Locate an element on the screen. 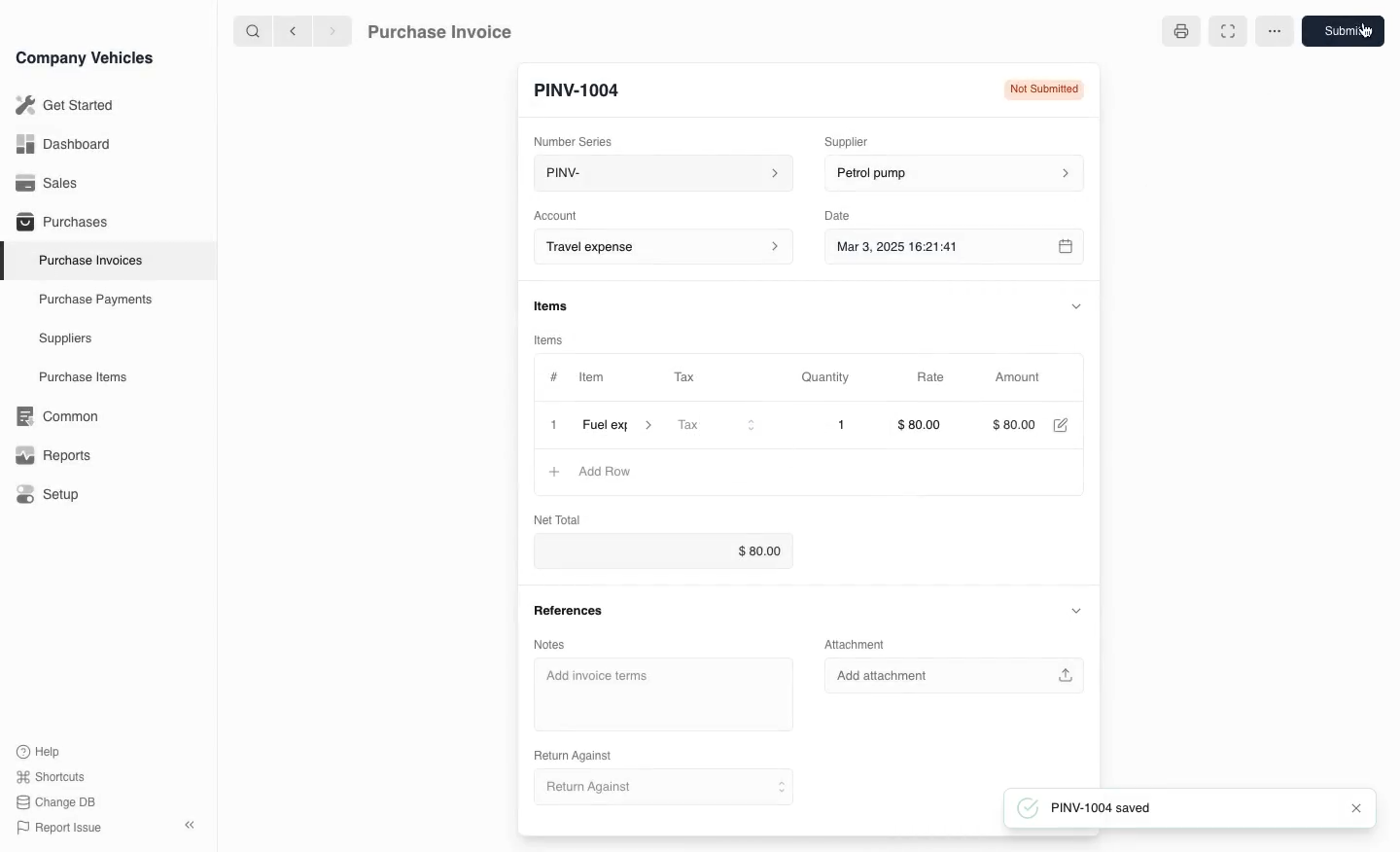 The image size is (1400, 852). Common is located at coordinates (52, 416).